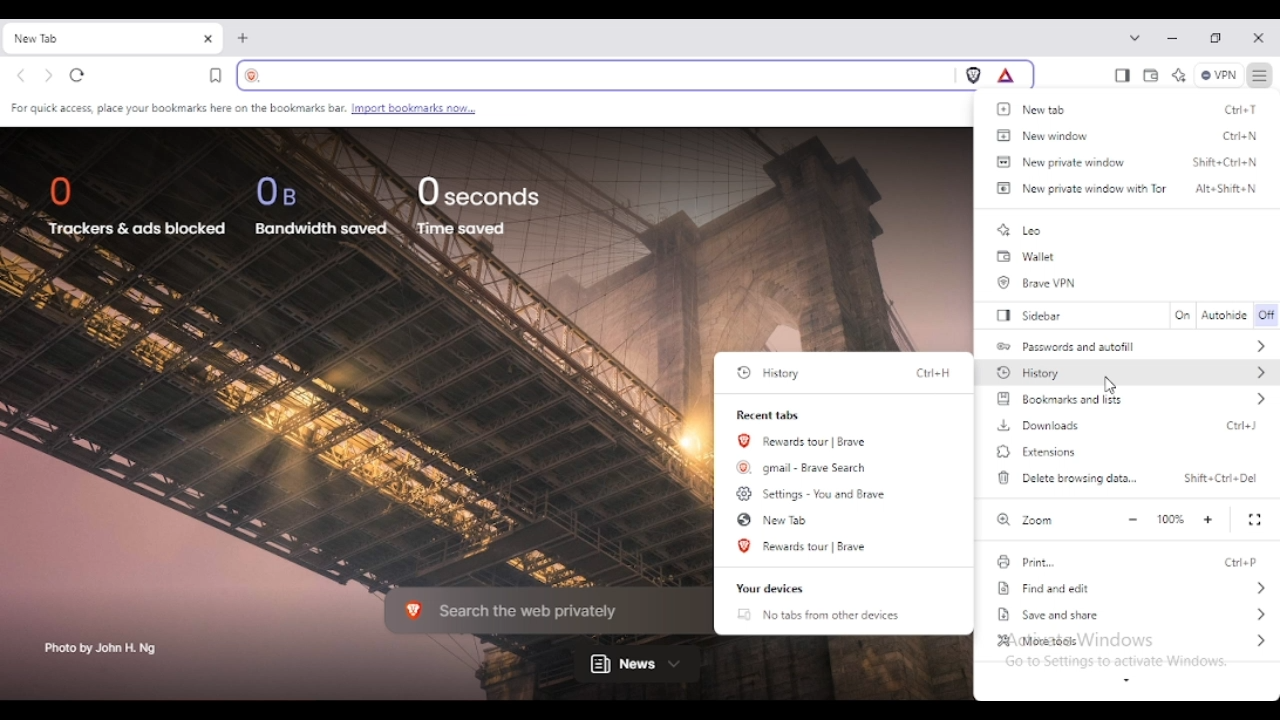 Image resolution: width=1280 pixels, height=720 pixels. I want to click on make text smaller, so click(1133, 520).